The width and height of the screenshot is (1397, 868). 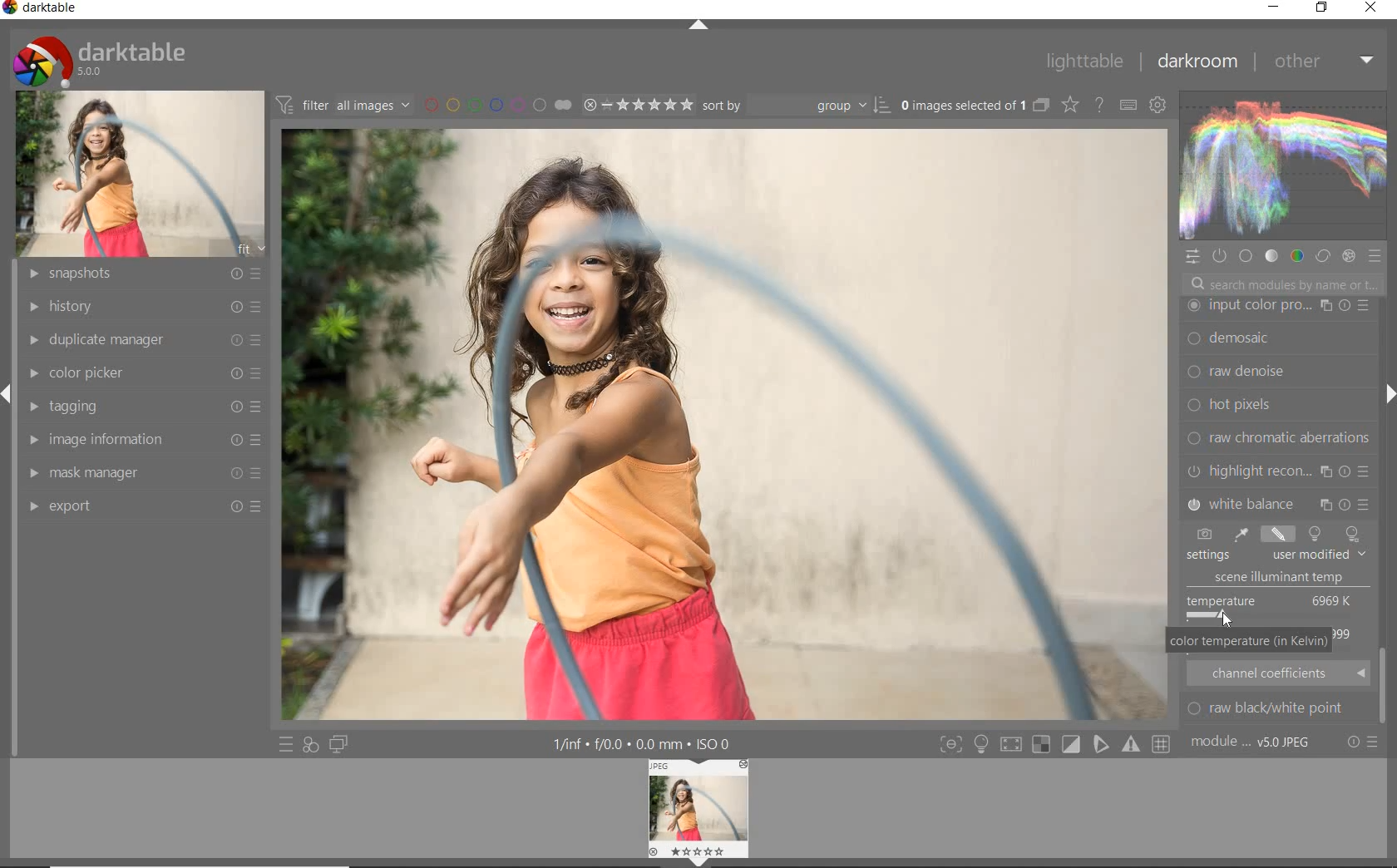 What do you see at coordinates (144, 506) in the screenshot?
I see `export` at bounding box center [144, 506].